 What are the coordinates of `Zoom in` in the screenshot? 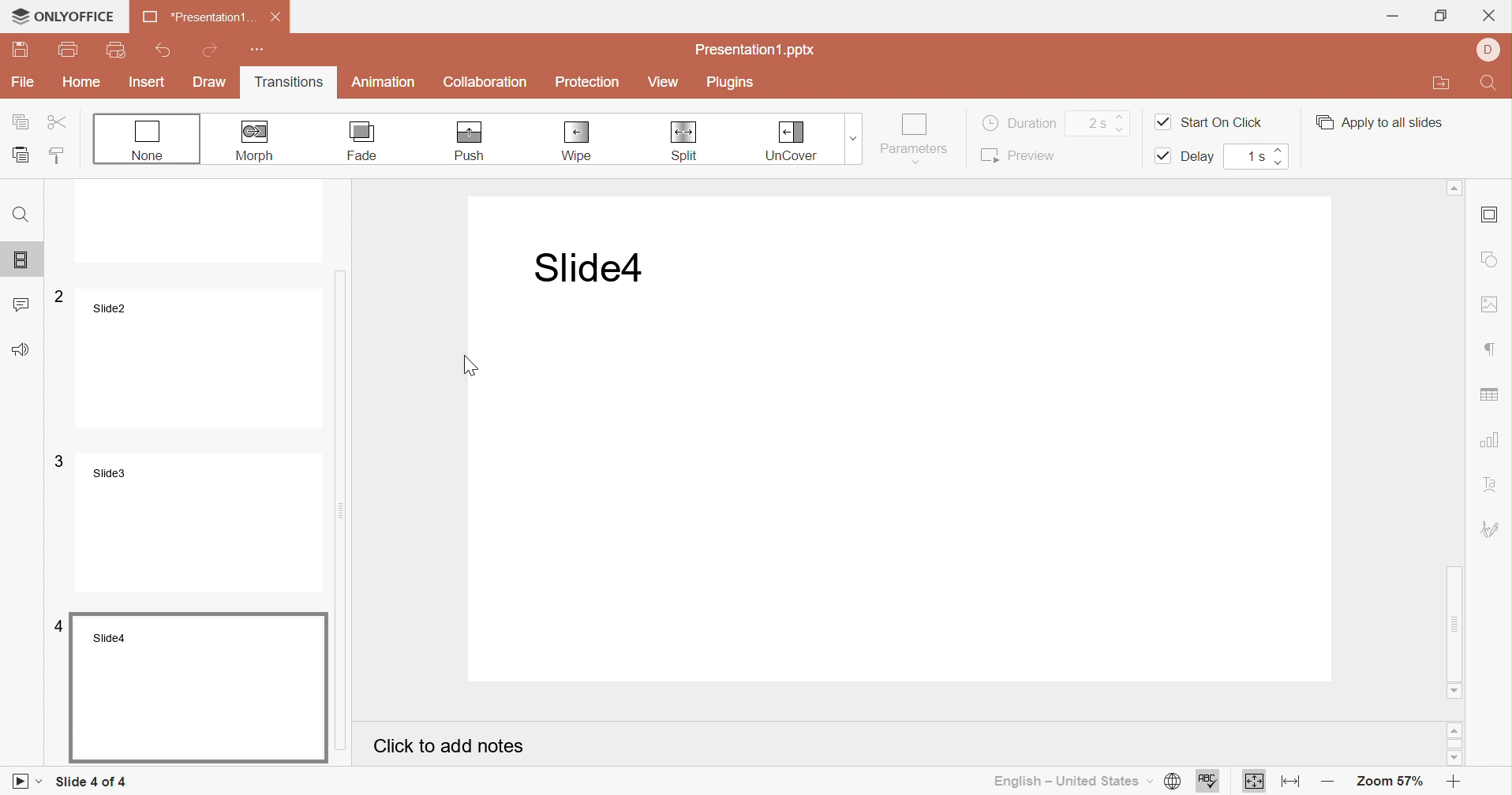 It's located at (1454, 784).